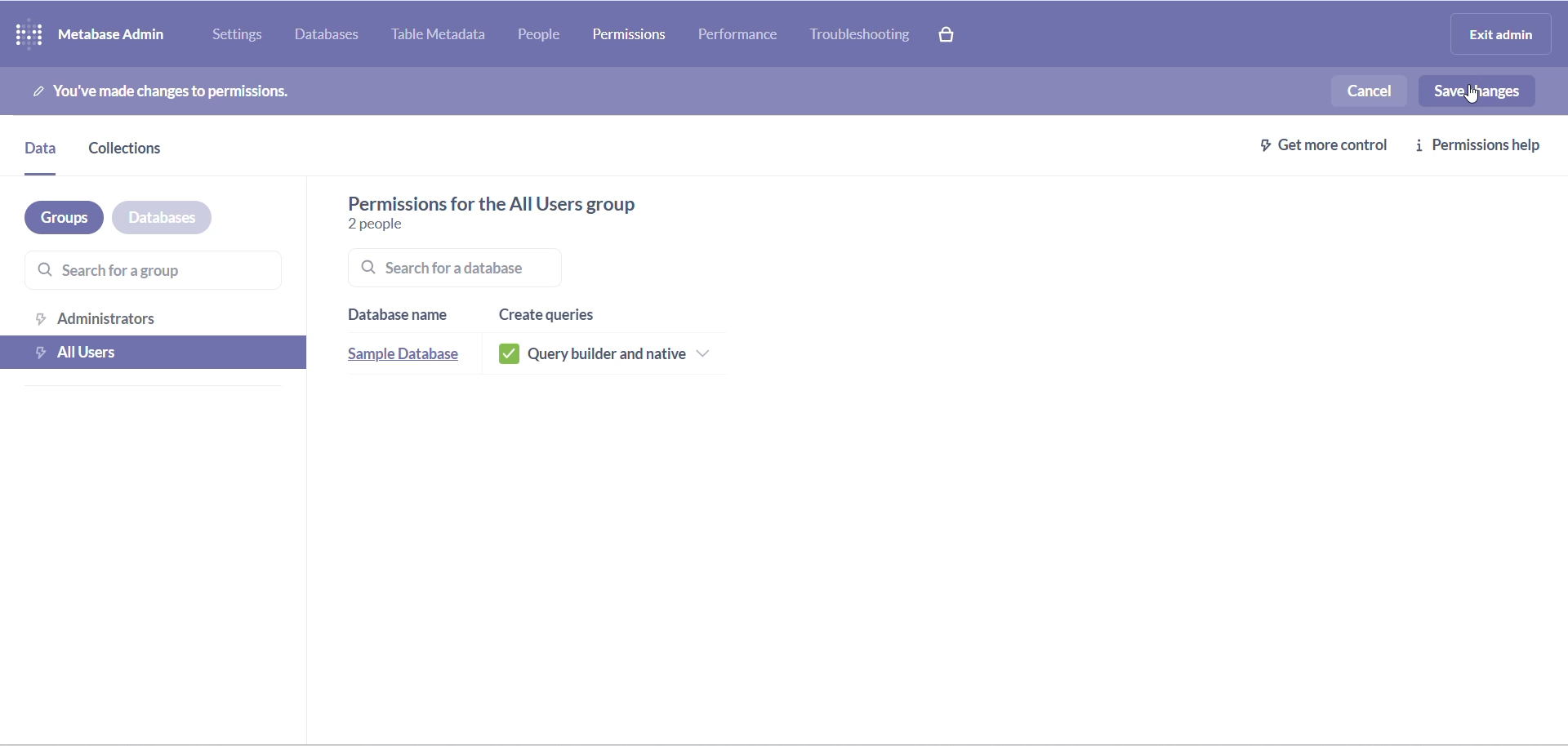 The width and height of the screenshot is (1568, 746). I want to click on collections, so click(139, 149).